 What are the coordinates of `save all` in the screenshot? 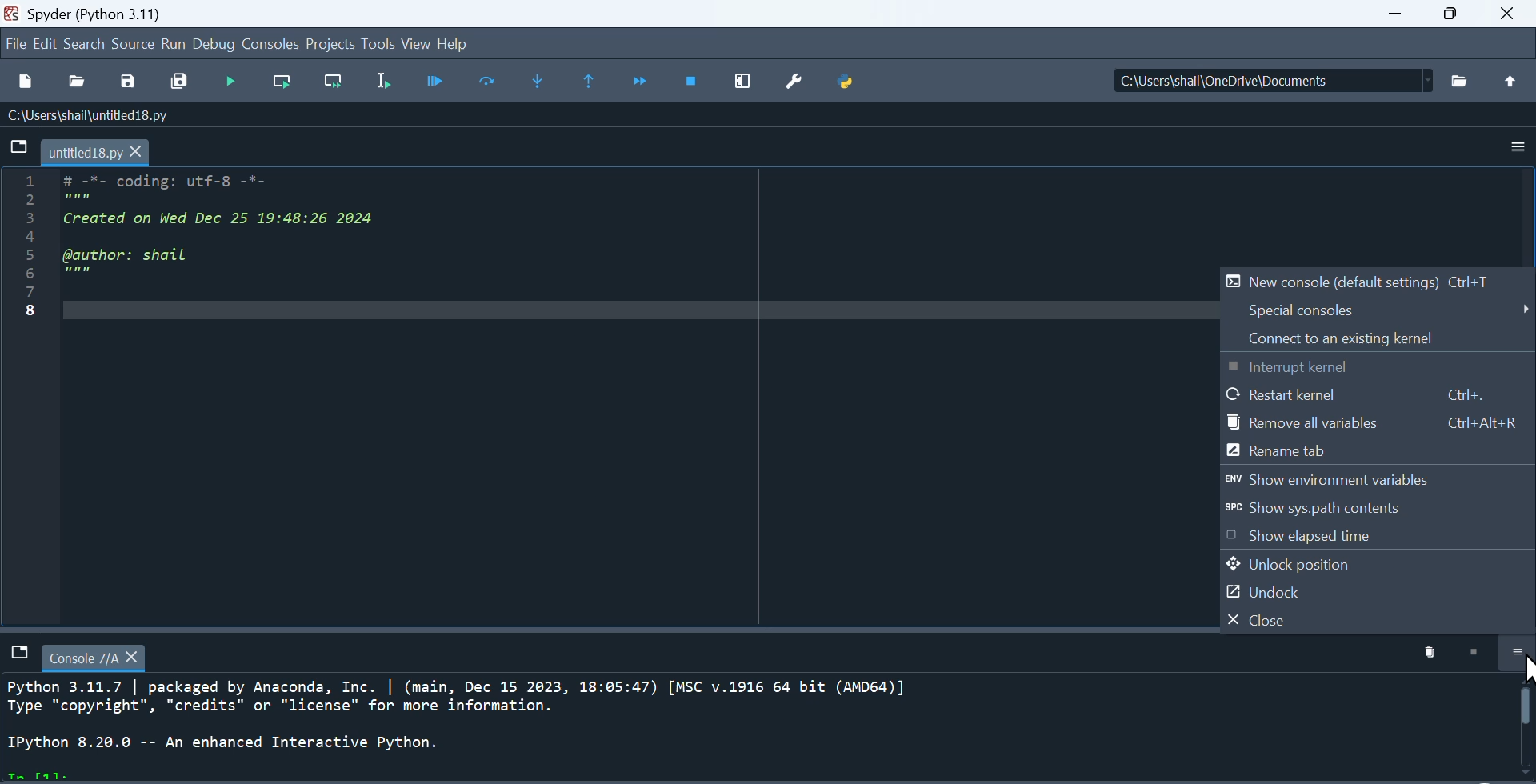 It's located at (183, 82).